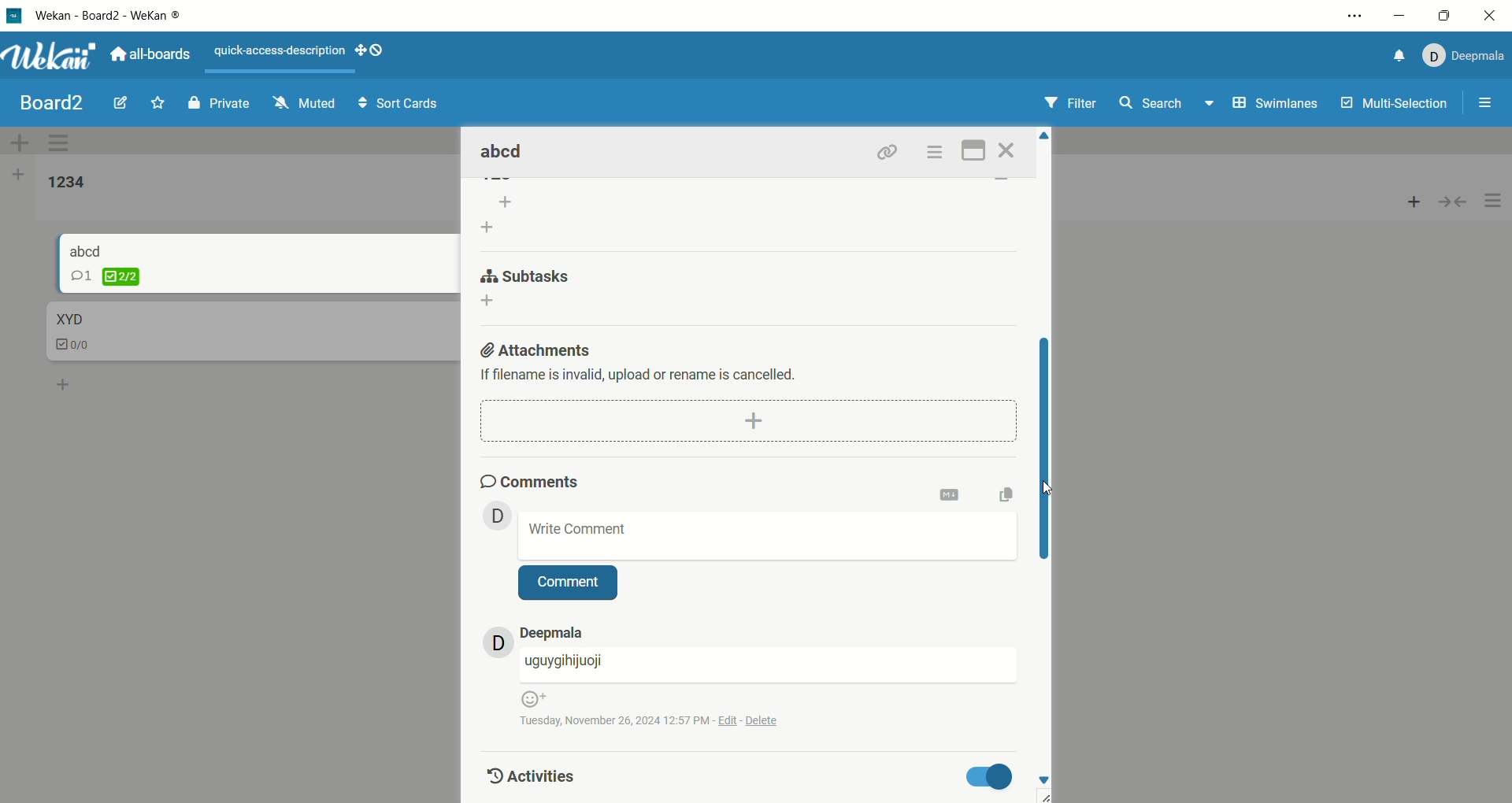 The height and width of the screenshot is (803, 1512). Describe the element at coordinates (888, 151) in the screenshot. I see `link` at that location.